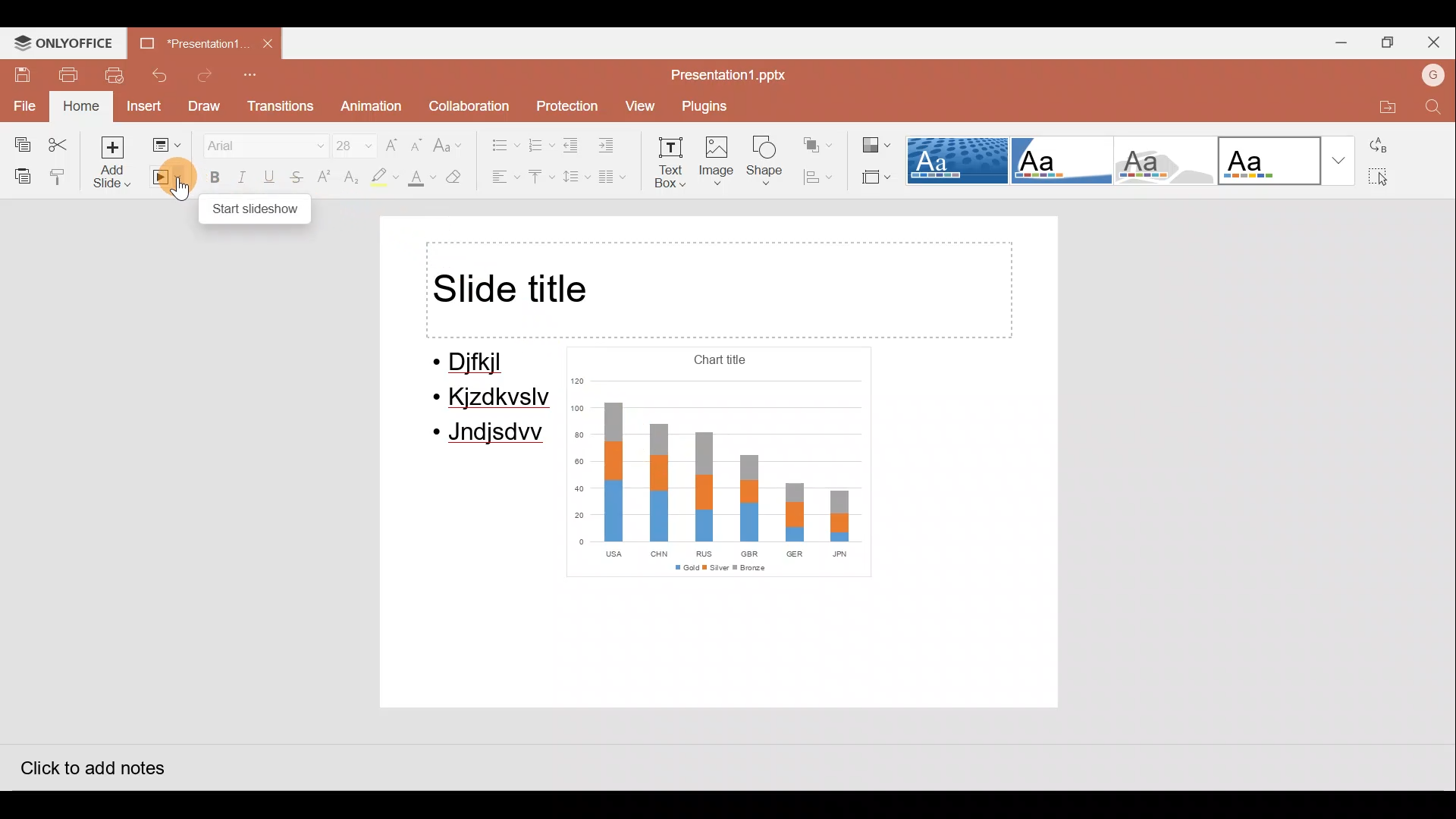 This screenshot has width=1456, height=819. What do you see at coordinates (65, 176) in the screenshot?
I see `Copy style` at bounding box center [65, 176].